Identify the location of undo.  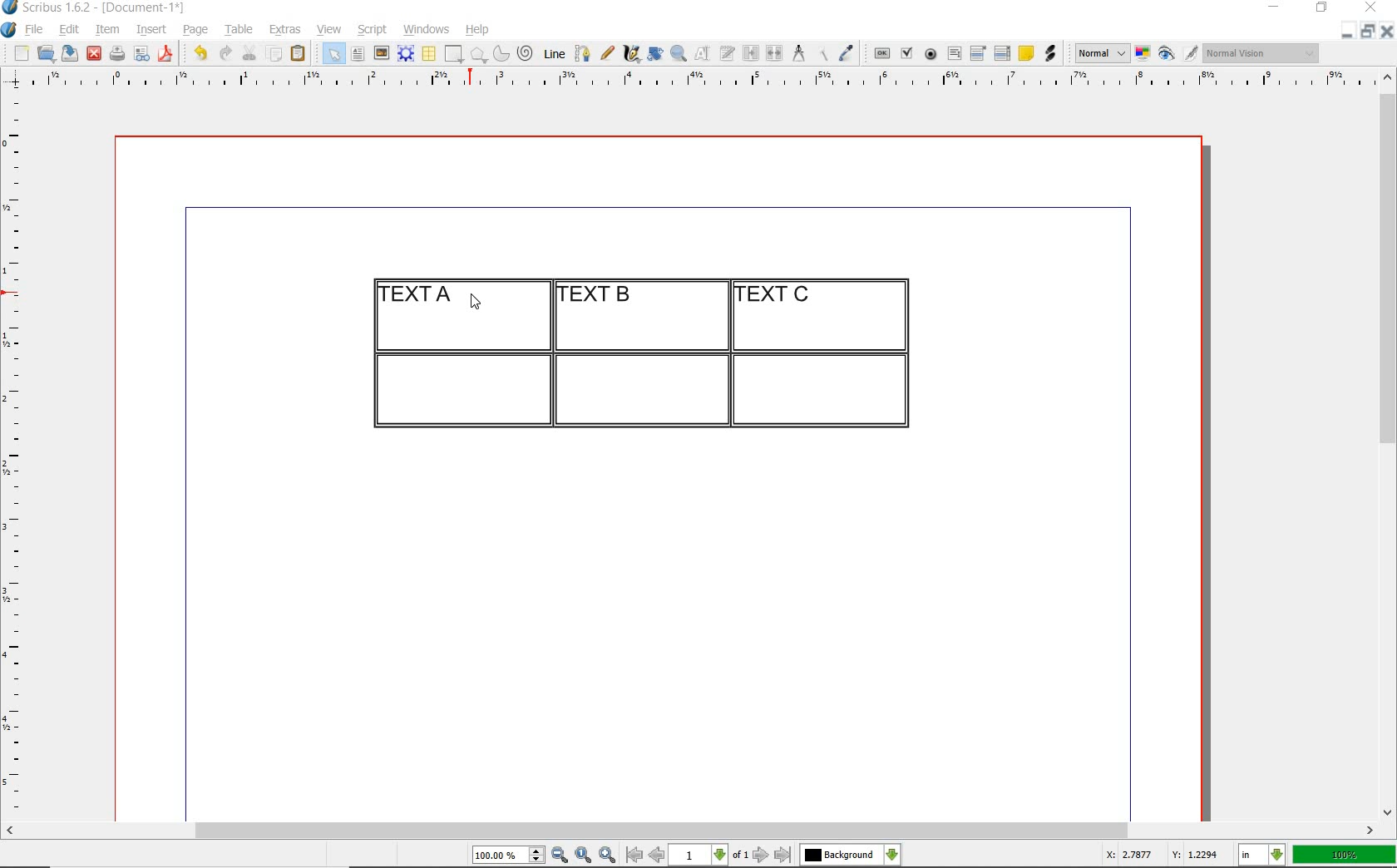
(200, 53).